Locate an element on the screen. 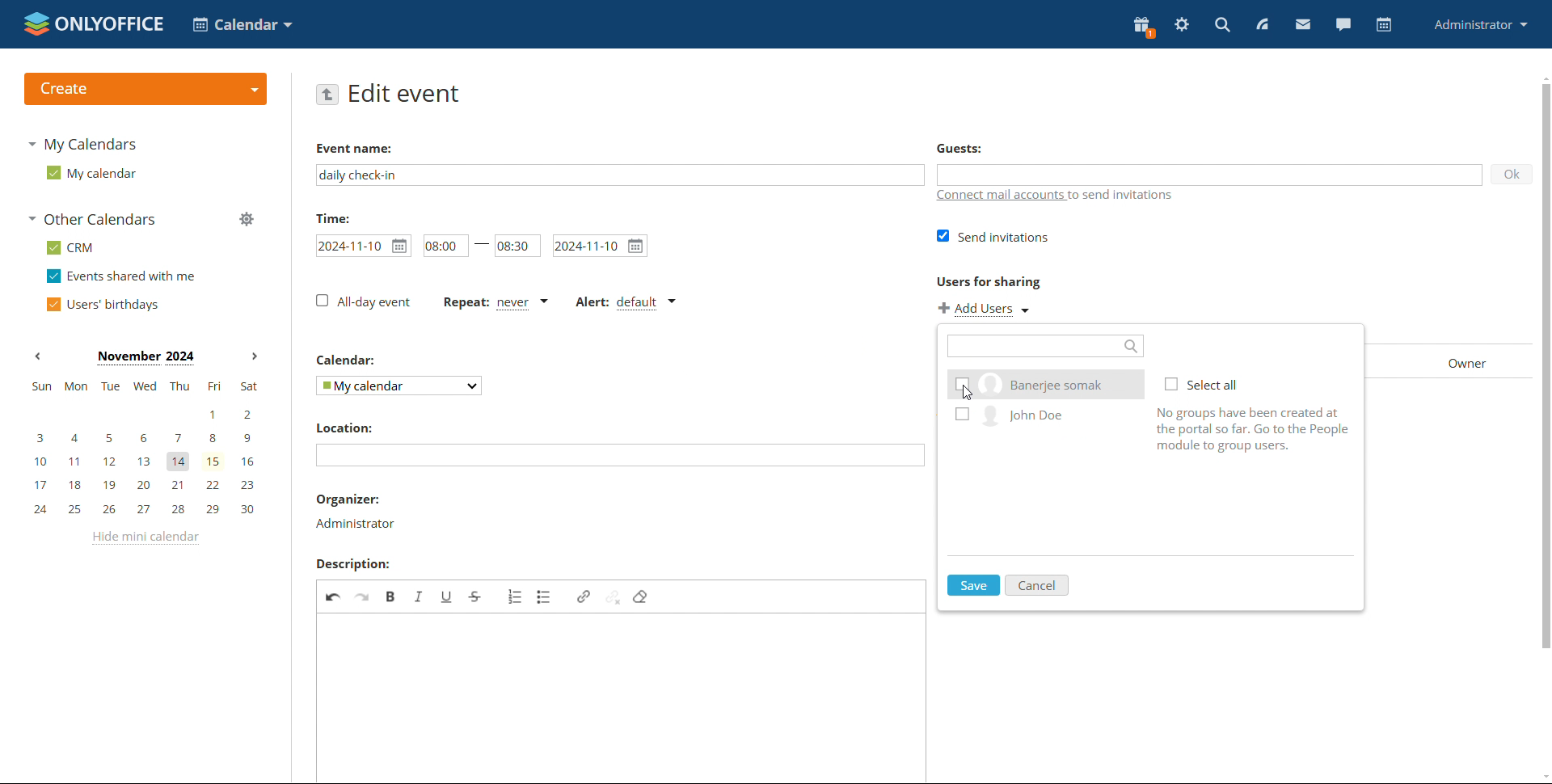 The width and height of the screenshot is (1552, 784). no groups have been created at the portal so far... is located at coordinates (1259, 428).